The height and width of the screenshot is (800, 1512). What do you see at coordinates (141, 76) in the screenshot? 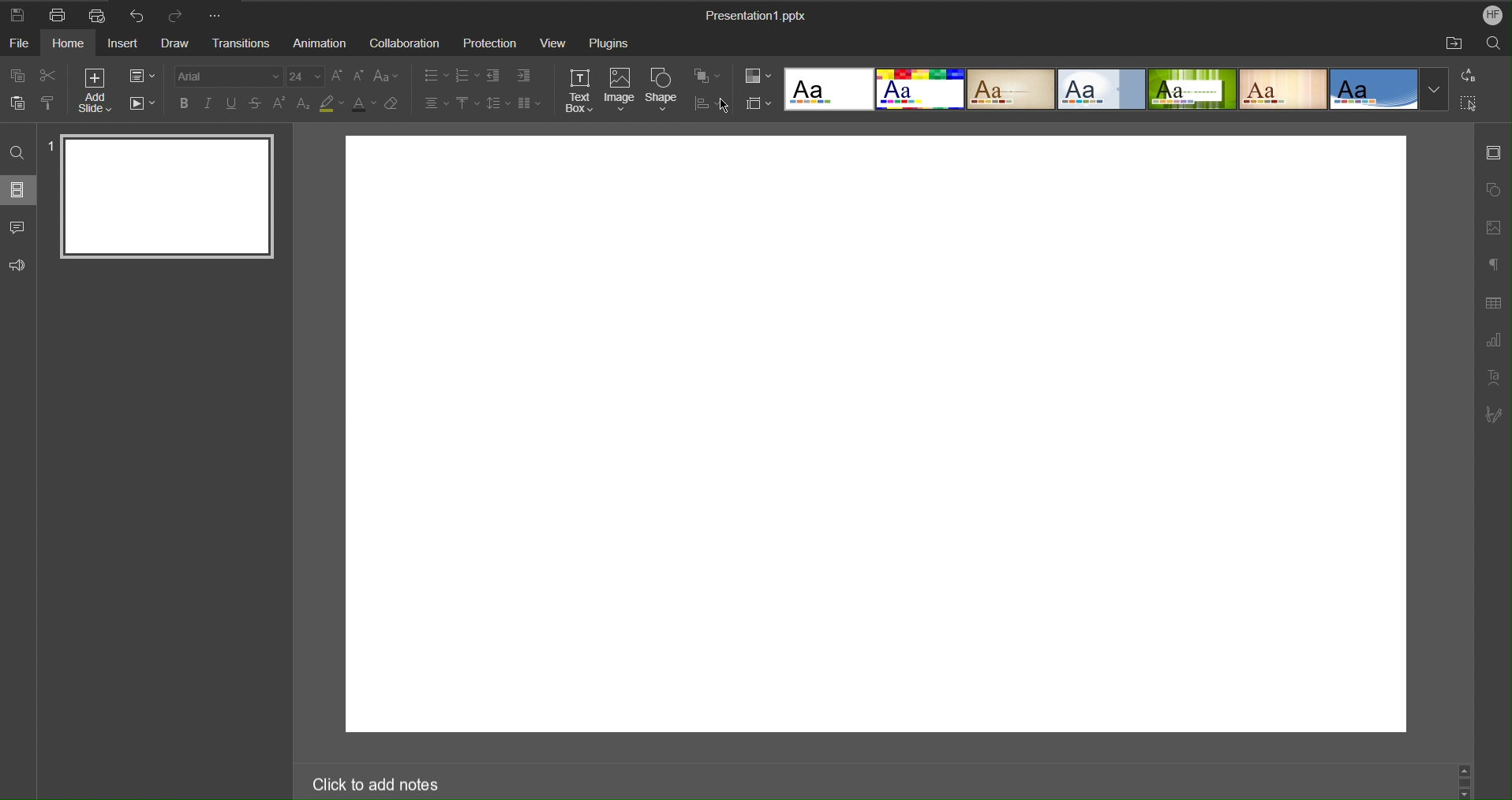
I see `Slide Settings` at bounding box center [141, 76].